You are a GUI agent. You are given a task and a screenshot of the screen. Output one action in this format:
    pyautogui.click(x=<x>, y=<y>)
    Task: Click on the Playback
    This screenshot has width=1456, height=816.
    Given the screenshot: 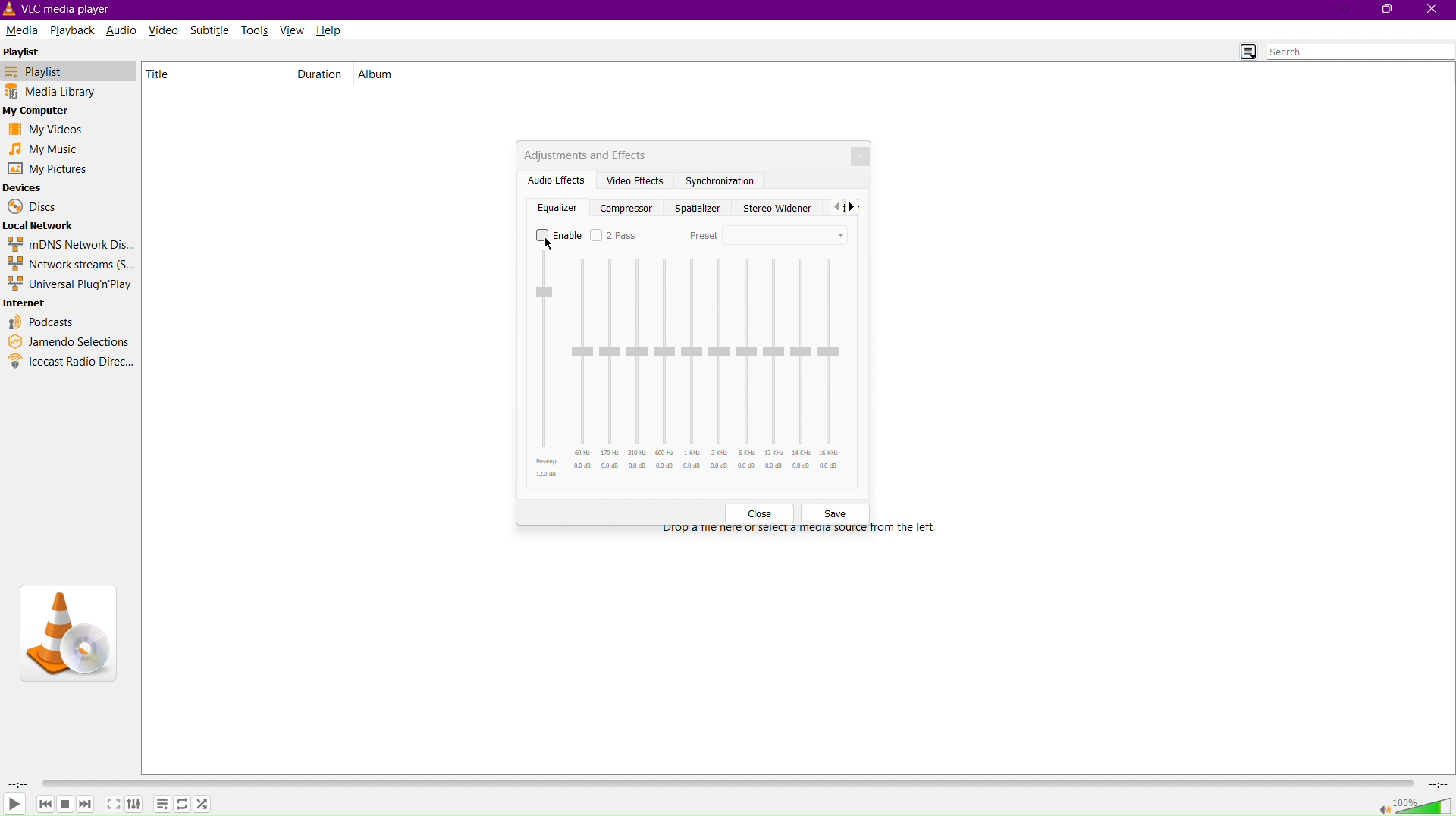 What is the action you would take?
    pyautogui.click(x=71, y=29)
    